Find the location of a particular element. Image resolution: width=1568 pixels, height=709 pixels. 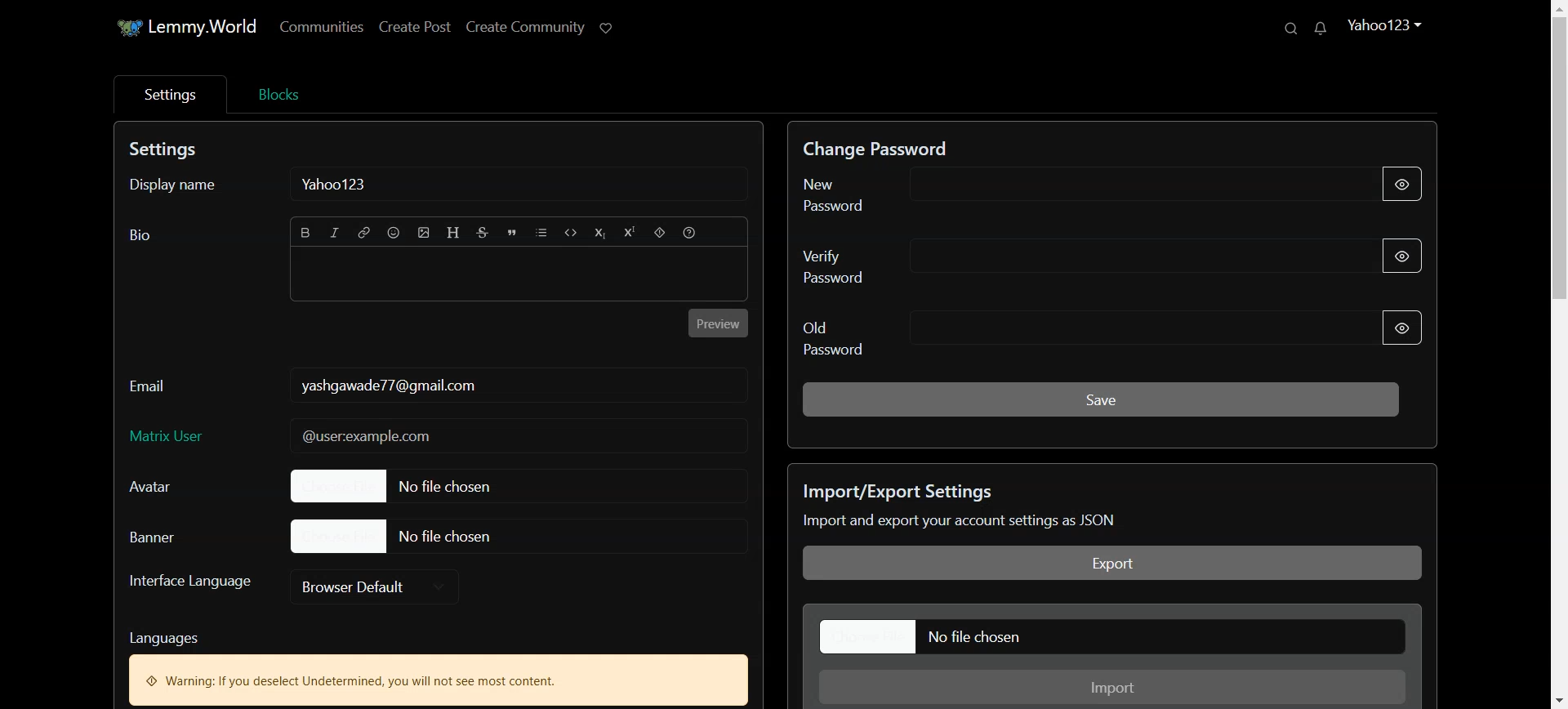

Hide Password is located at coordinates (1414, 255).